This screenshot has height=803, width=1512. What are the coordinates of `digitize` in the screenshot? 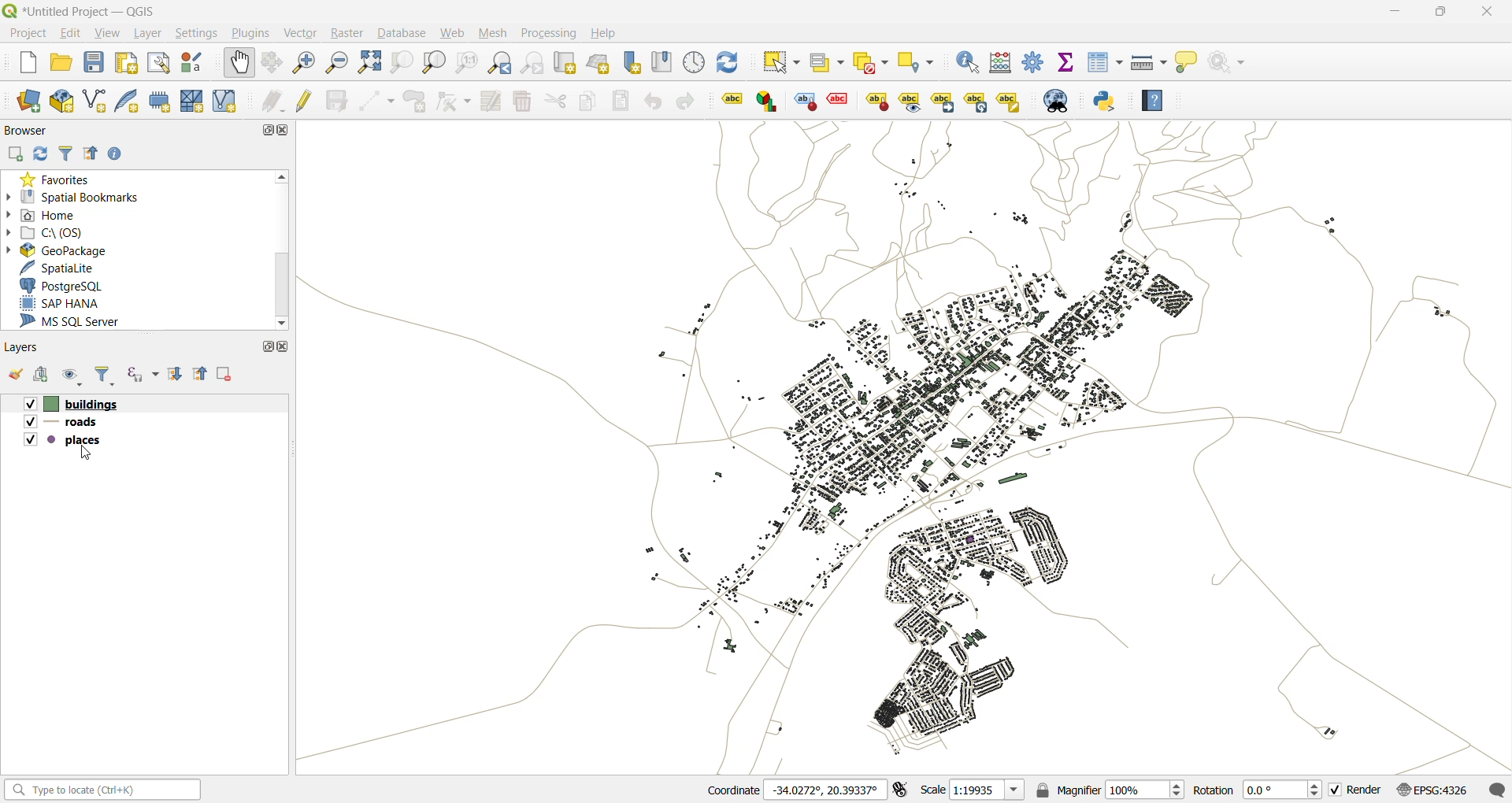 It's located at (377, 102).